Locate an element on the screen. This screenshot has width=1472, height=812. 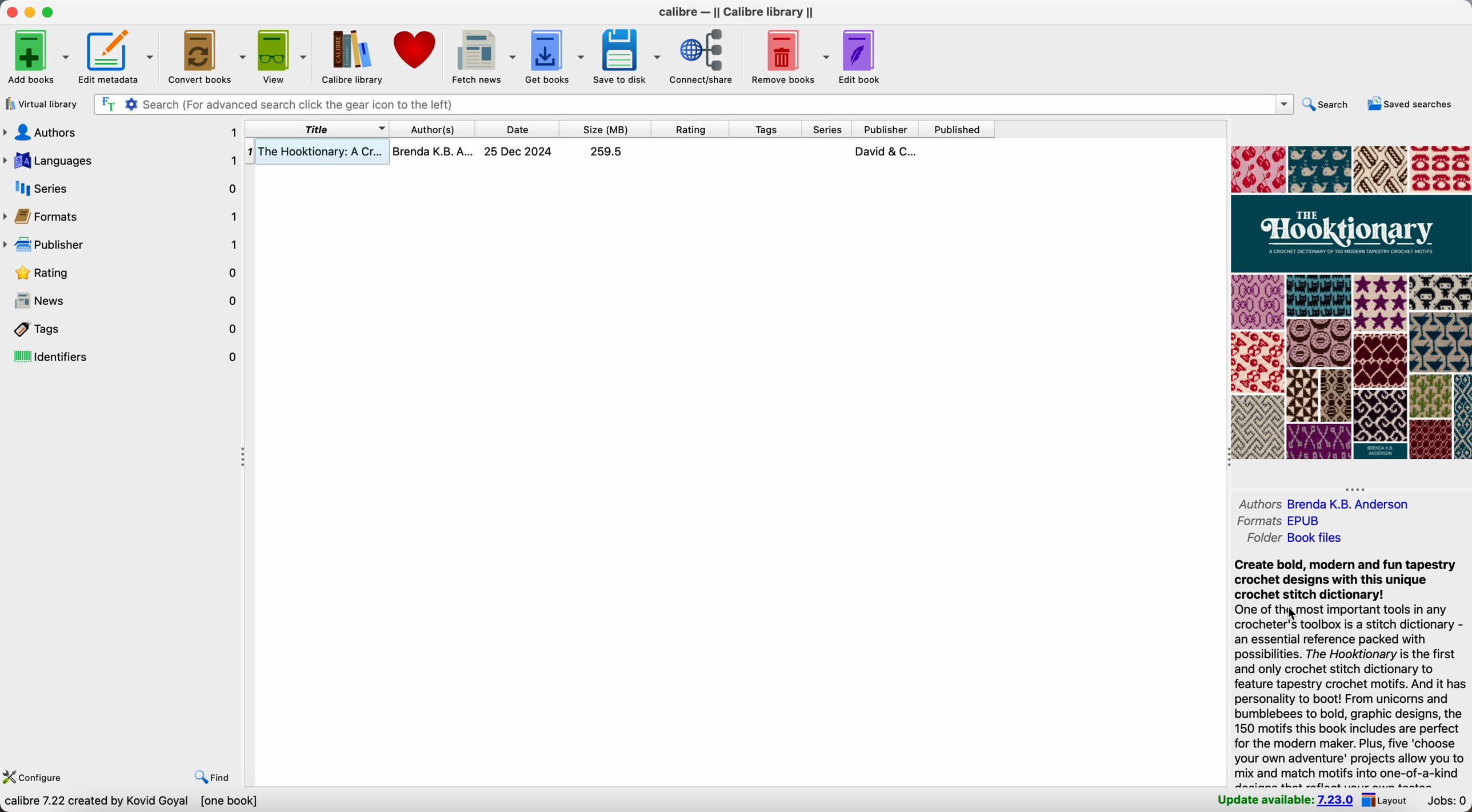
size is located at coordinates (606, 129).